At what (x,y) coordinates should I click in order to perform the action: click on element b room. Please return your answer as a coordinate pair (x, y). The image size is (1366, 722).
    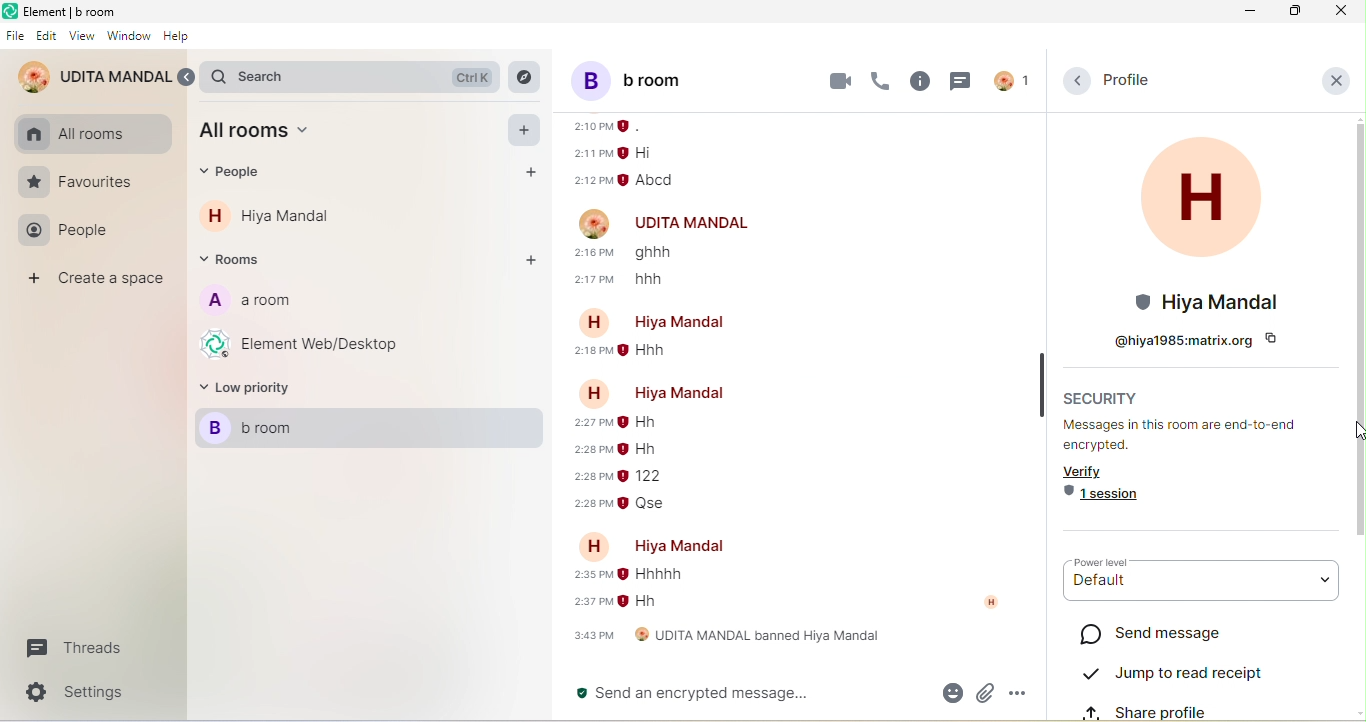
    Looking at the image, I should click on (76, 11).